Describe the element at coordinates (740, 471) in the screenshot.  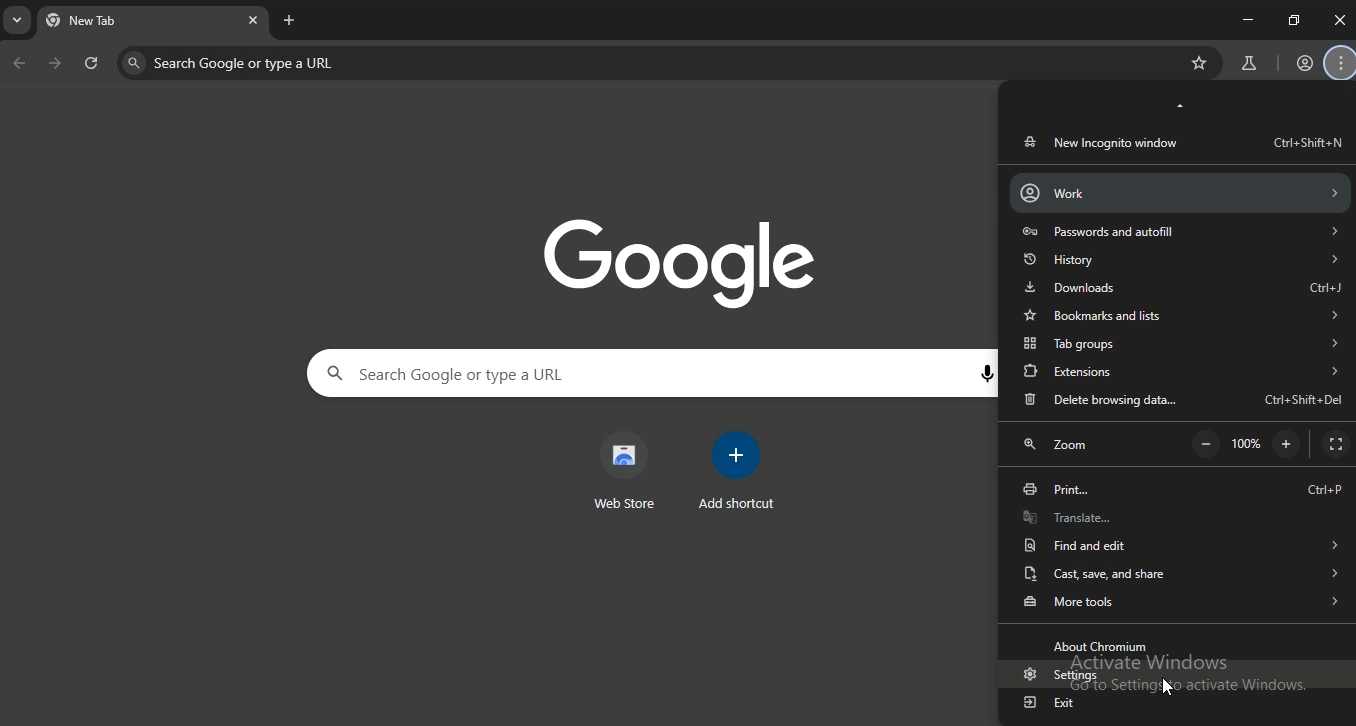
I see `add shortcut` at that location.